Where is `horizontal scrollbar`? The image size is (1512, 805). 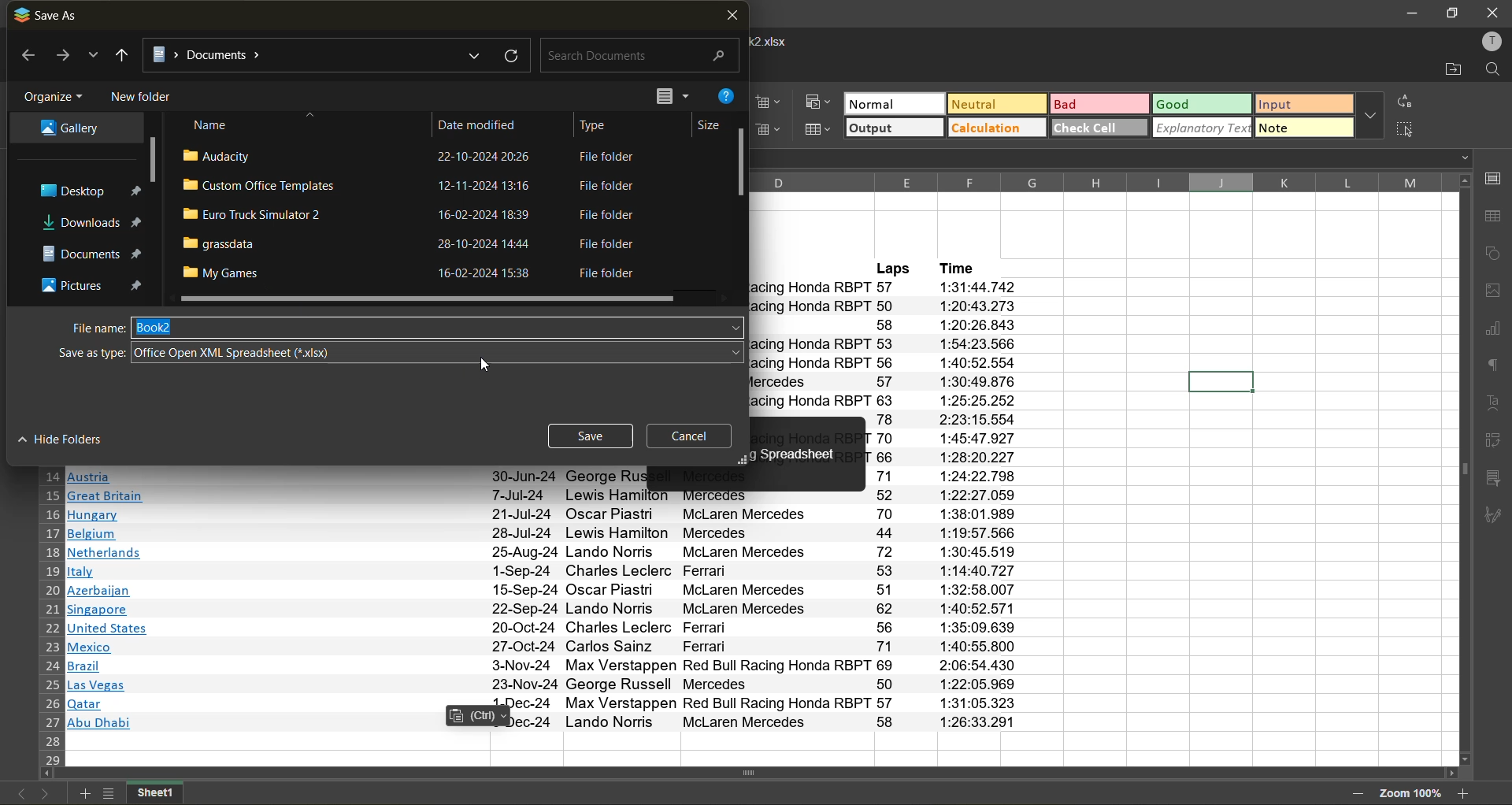
horizontal scrollbar is located at coordinates (747, 773).